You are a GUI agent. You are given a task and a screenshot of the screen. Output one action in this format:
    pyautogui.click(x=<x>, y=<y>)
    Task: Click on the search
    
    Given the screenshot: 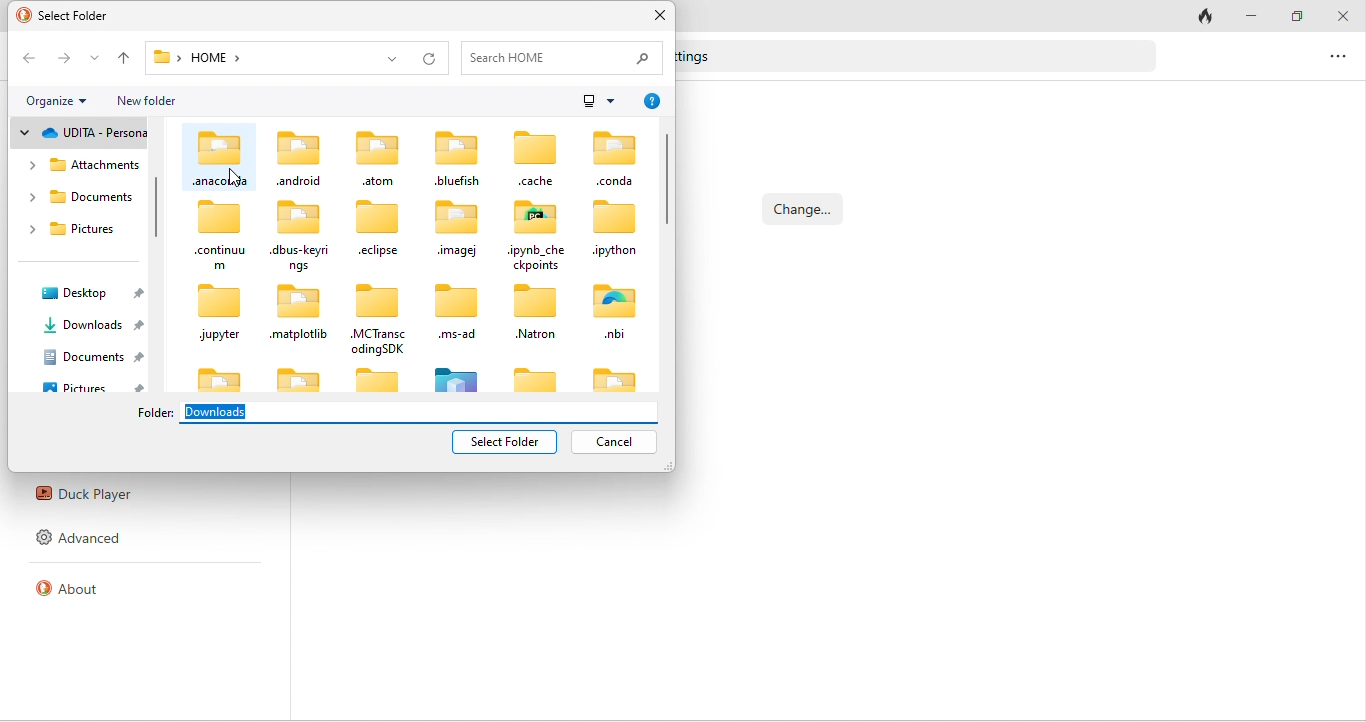 What is the action you would take?
    pyautogui.click(x=567, y=57)
    